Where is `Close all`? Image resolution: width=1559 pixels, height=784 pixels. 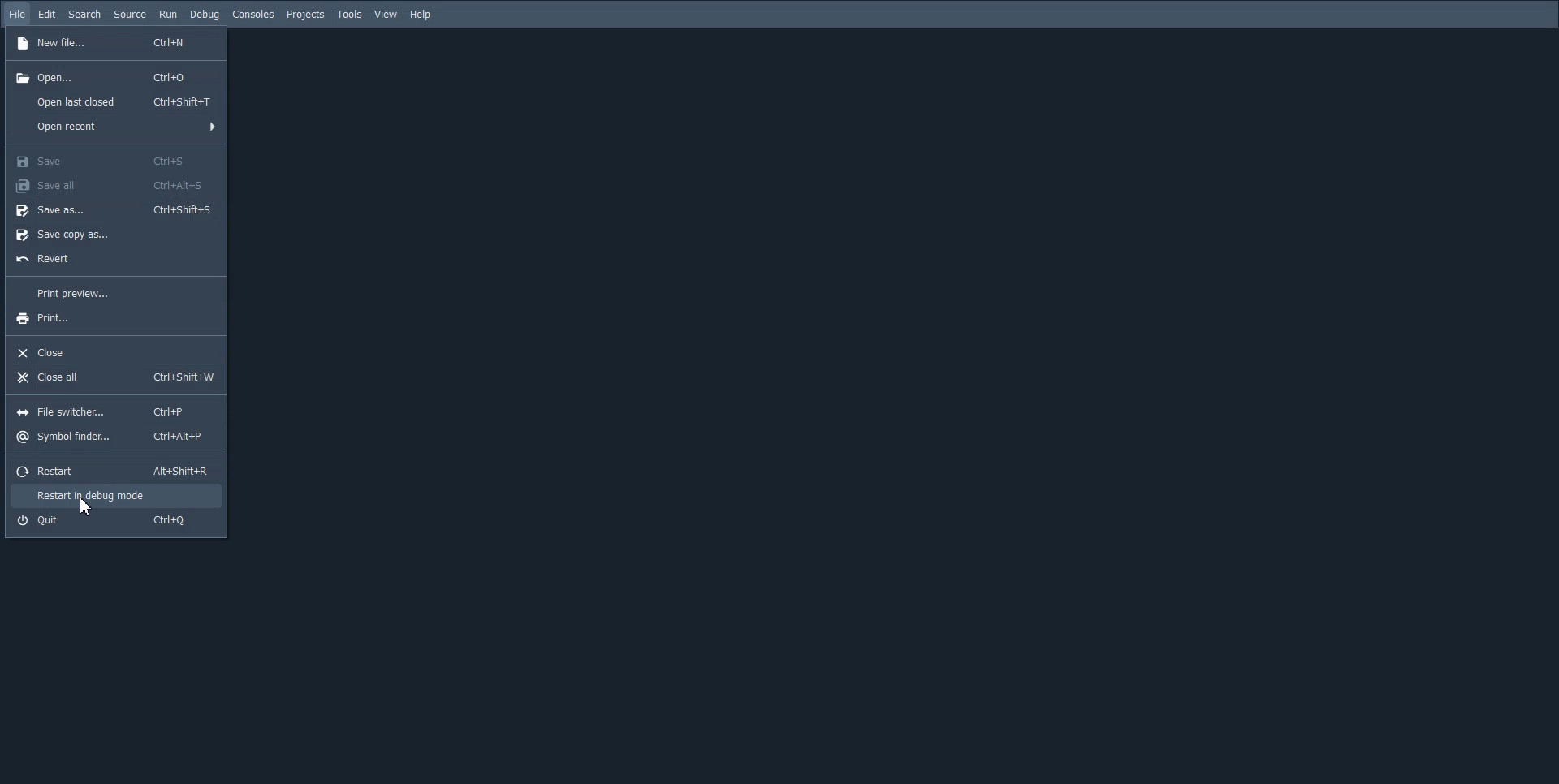
Close all is located at coordinates (116, 377).